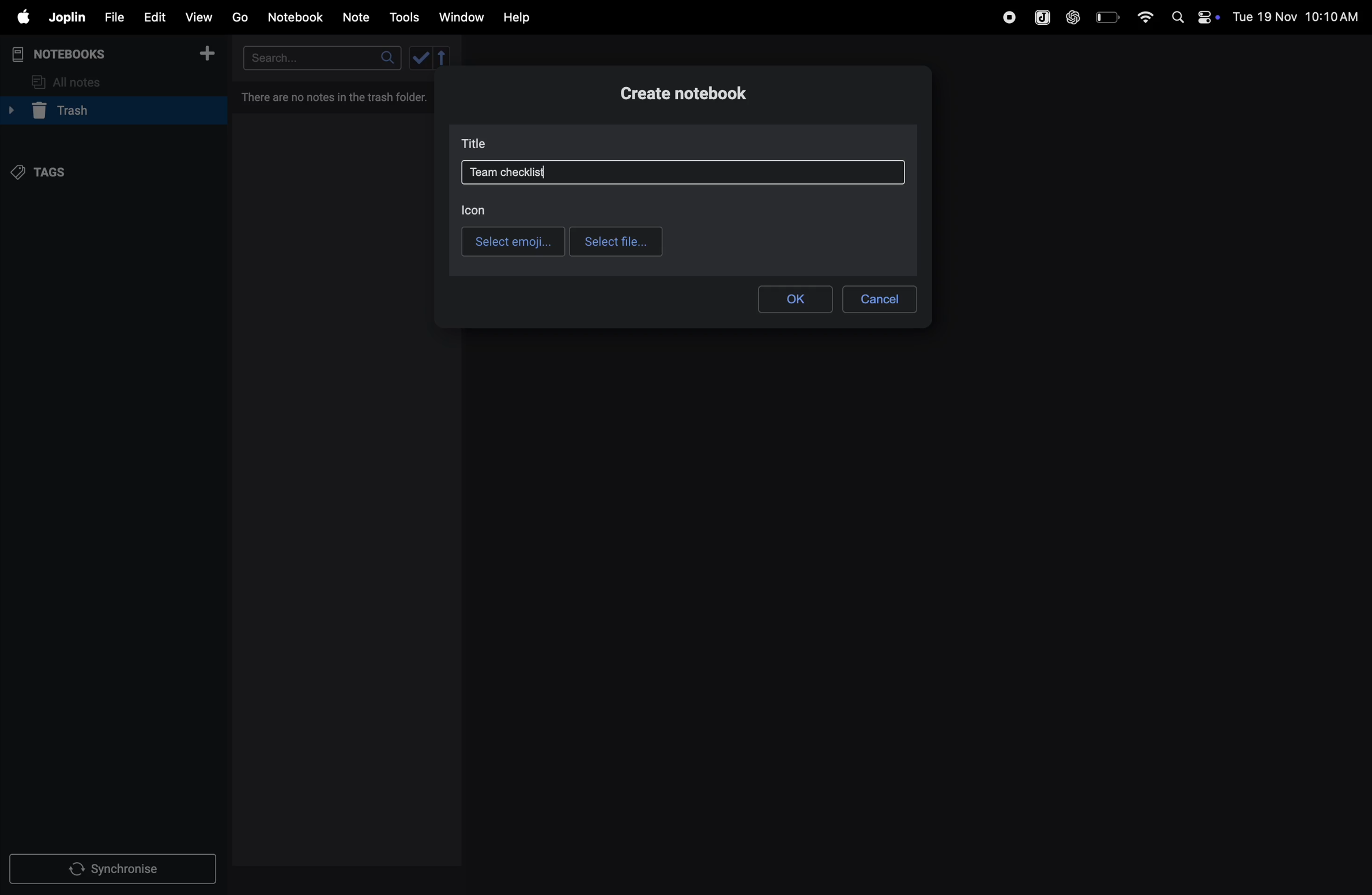 Image resolution: width=1372 pixels, height=895 pixels. Describe the element at coordinates (406, 17) in the screenshot. I see `tools` at that location.